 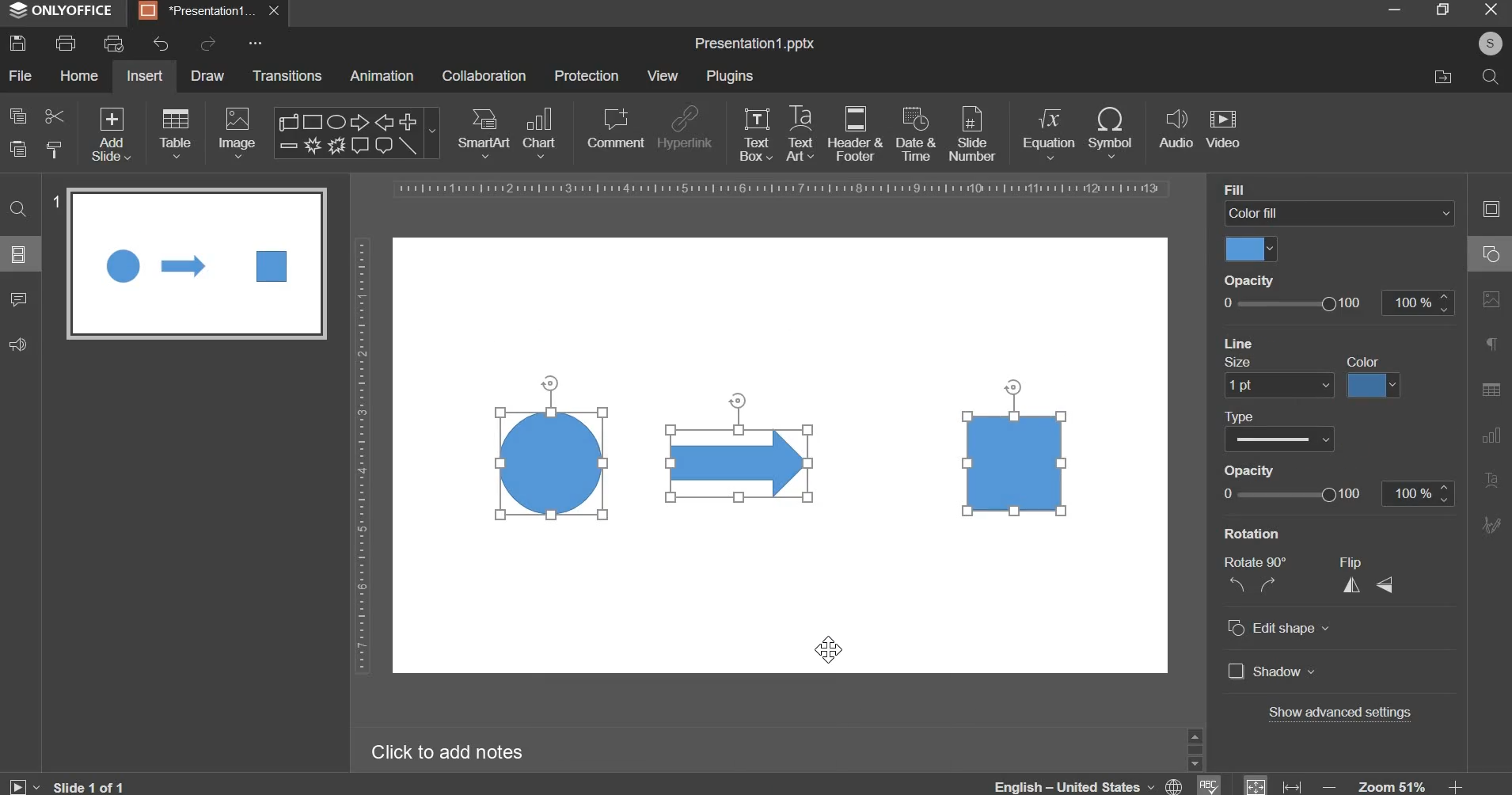 I want to click on color, so click(x=1373, y=385).